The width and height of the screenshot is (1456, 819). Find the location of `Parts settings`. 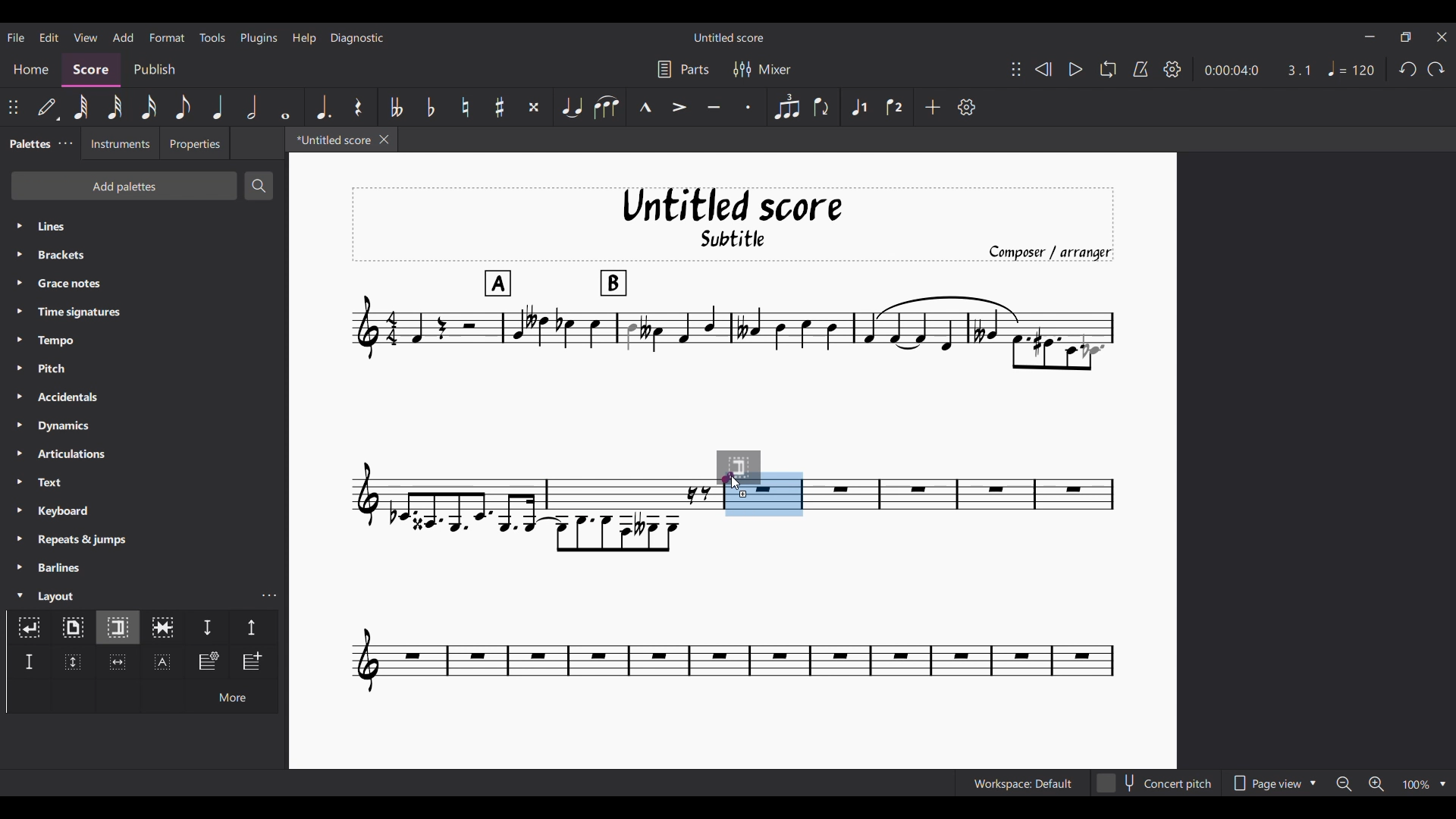

Parts settings is located at coordinates (684, 69).